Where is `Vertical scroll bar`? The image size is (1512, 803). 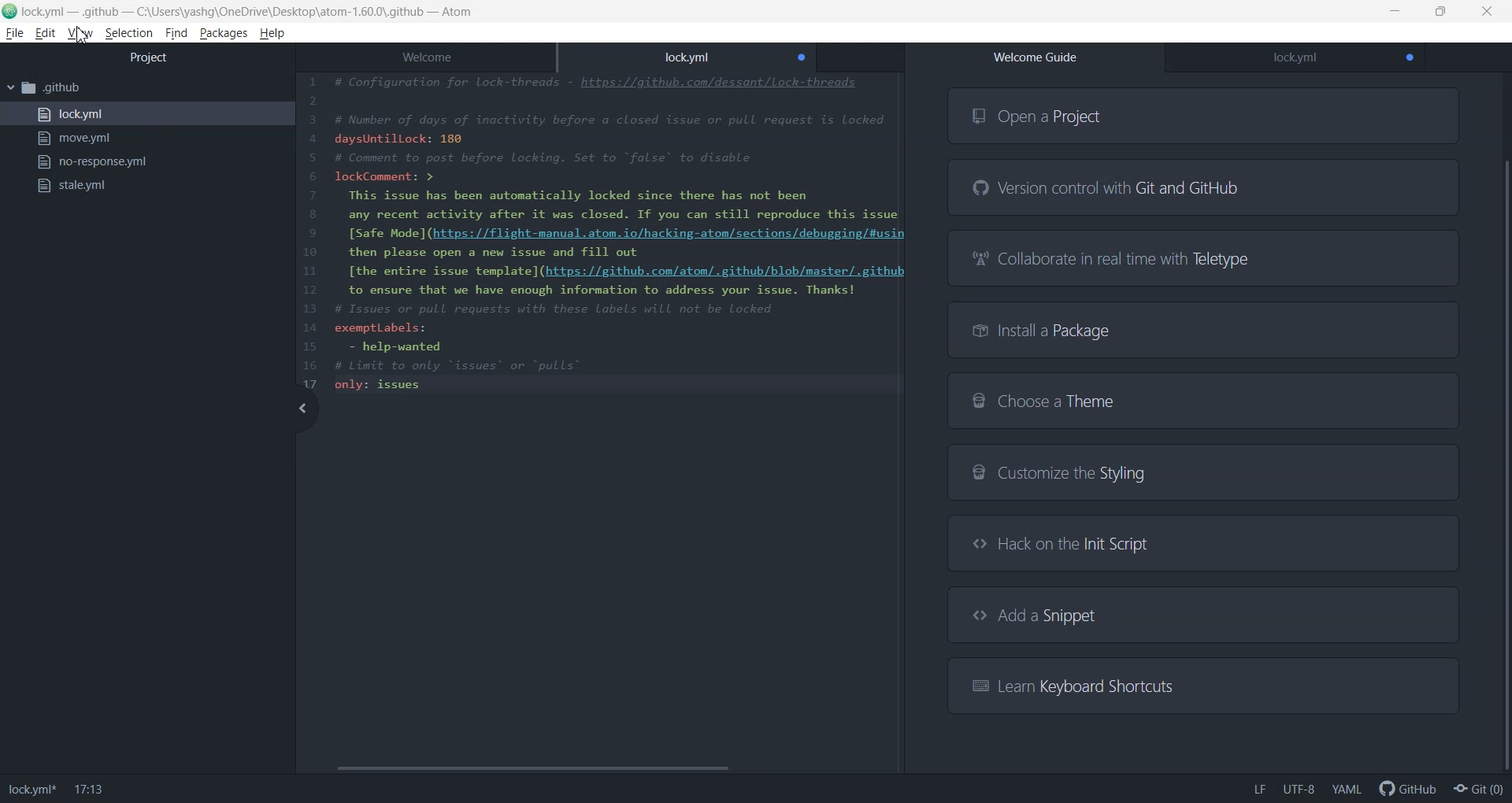
Vertical scroll bar is located at coordinates (1503, 426).